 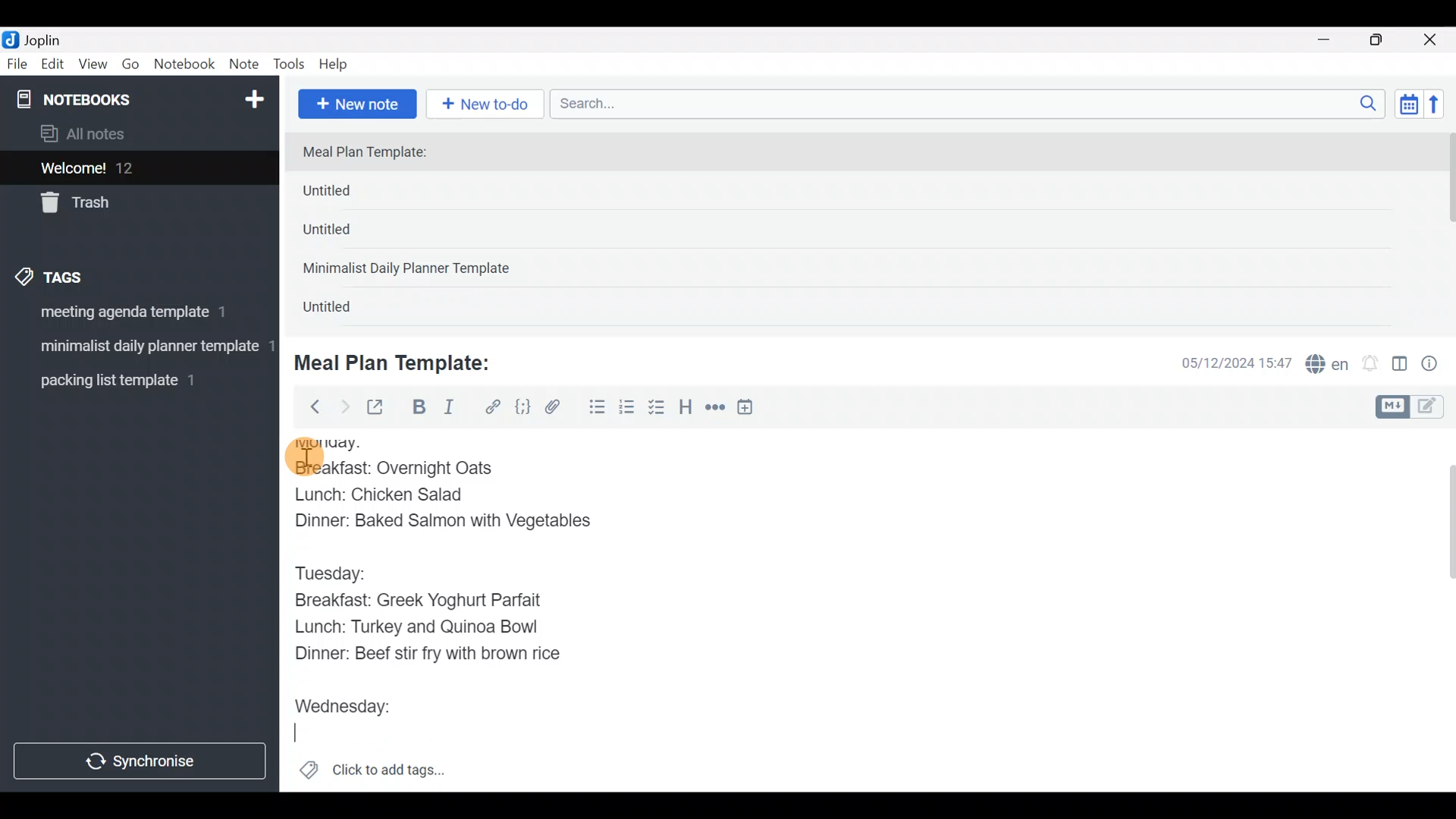 I want to click on All notes, so click(x=136, y=135).